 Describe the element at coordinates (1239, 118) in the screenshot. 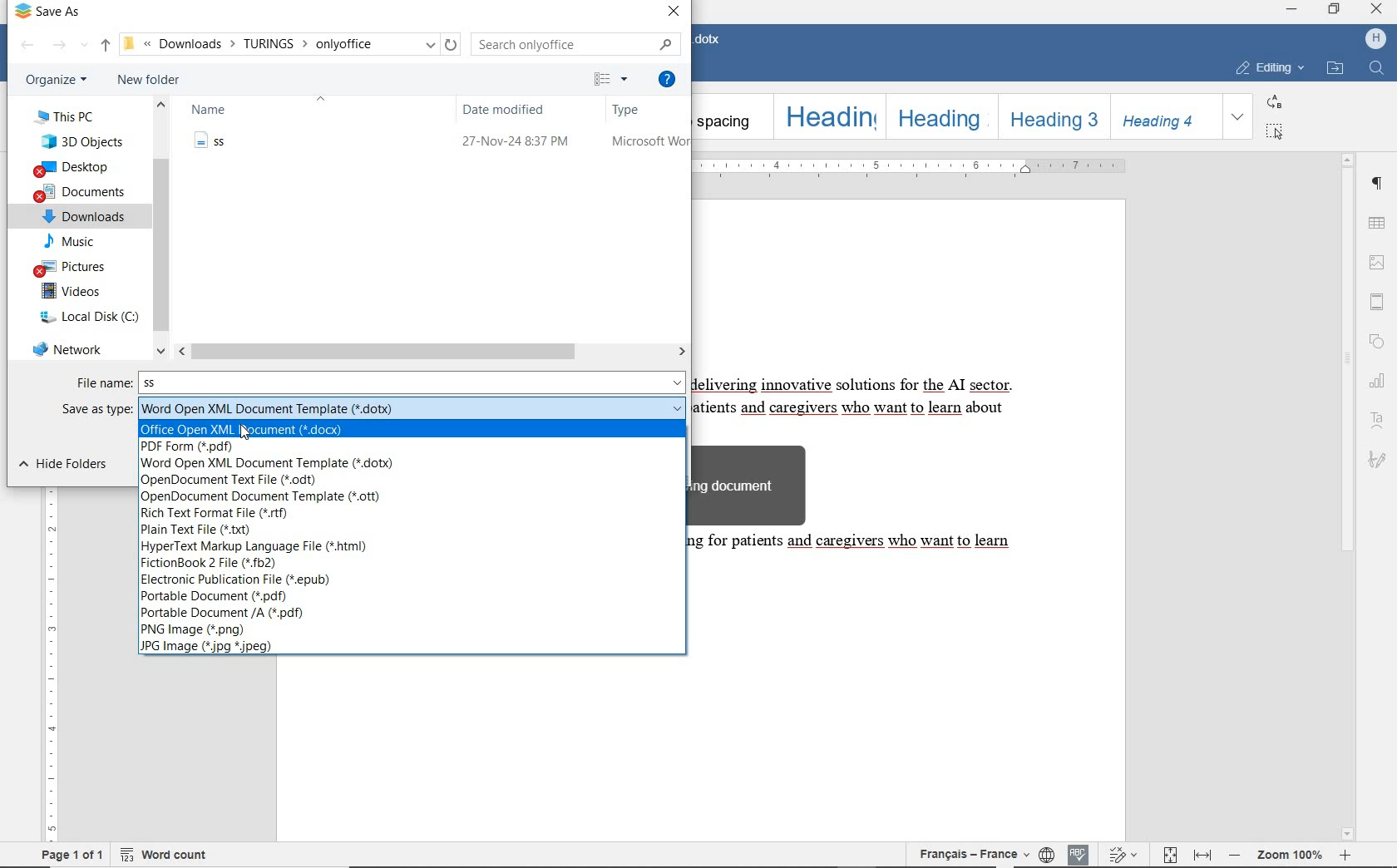

I see `EXPAND` at that location.